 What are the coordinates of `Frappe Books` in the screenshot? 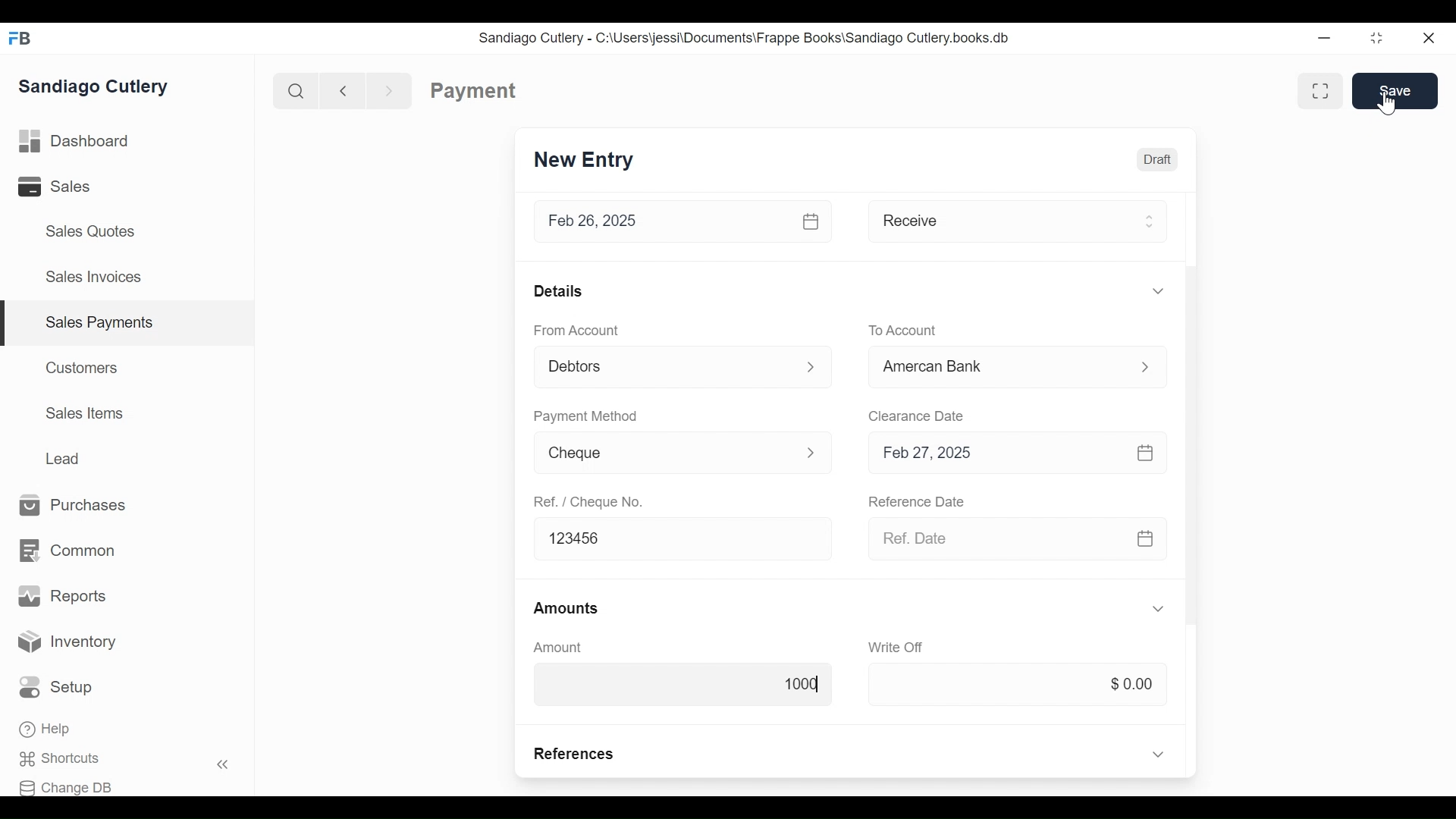 It's located at (21, 38).